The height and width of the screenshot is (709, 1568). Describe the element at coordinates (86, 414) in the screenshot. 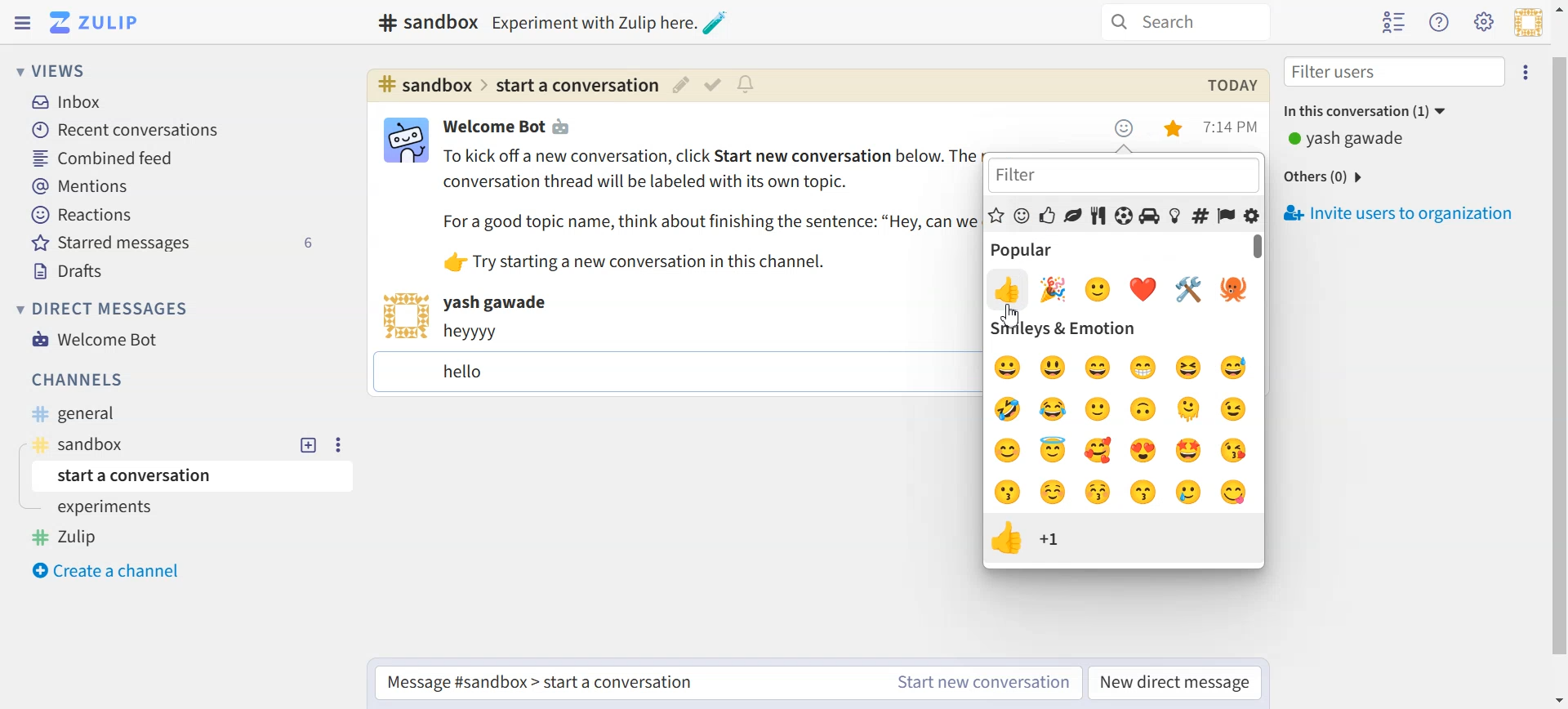

I see `General Tag` at that location.